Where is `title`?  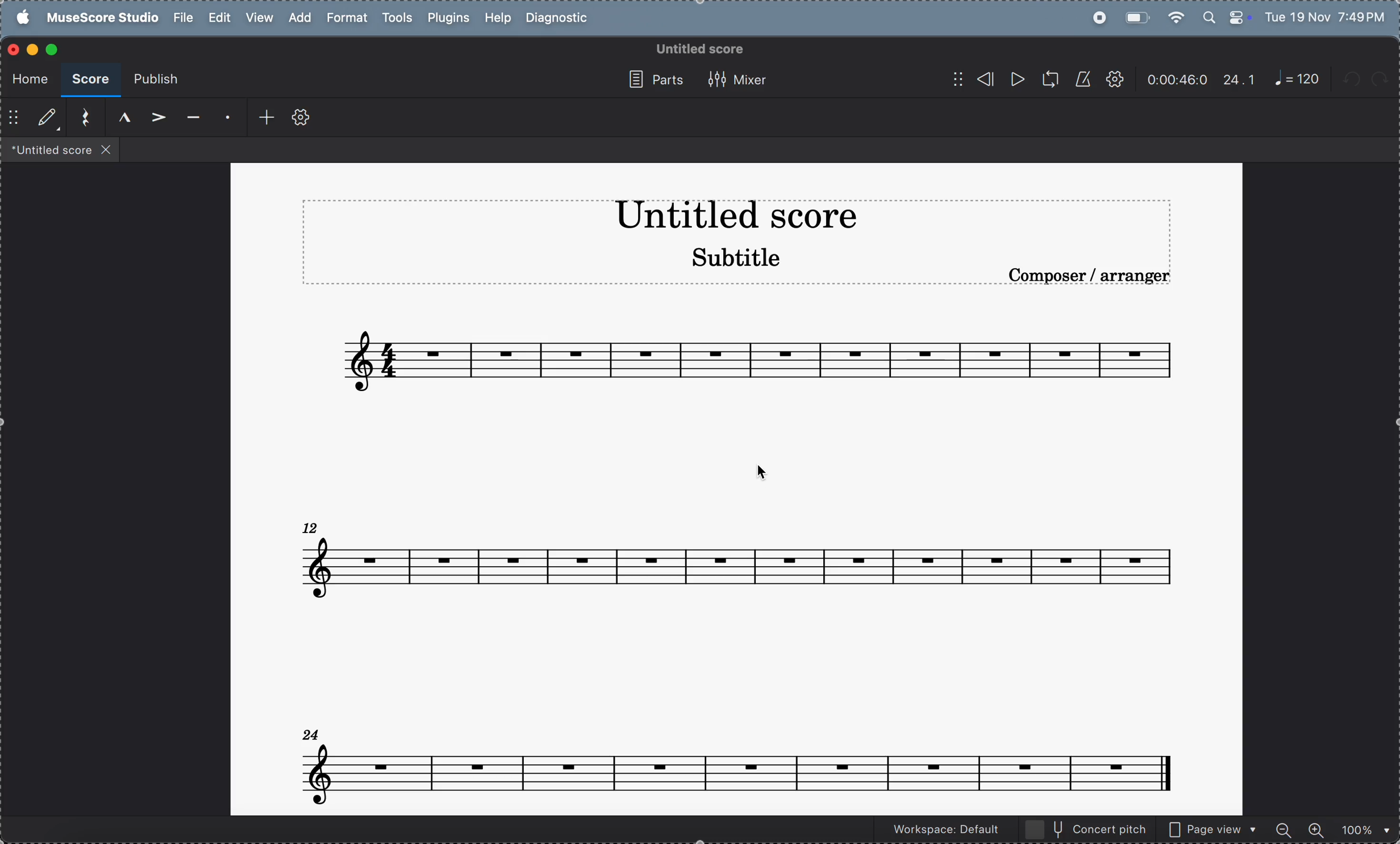 title is located at coordinates (735, 218).